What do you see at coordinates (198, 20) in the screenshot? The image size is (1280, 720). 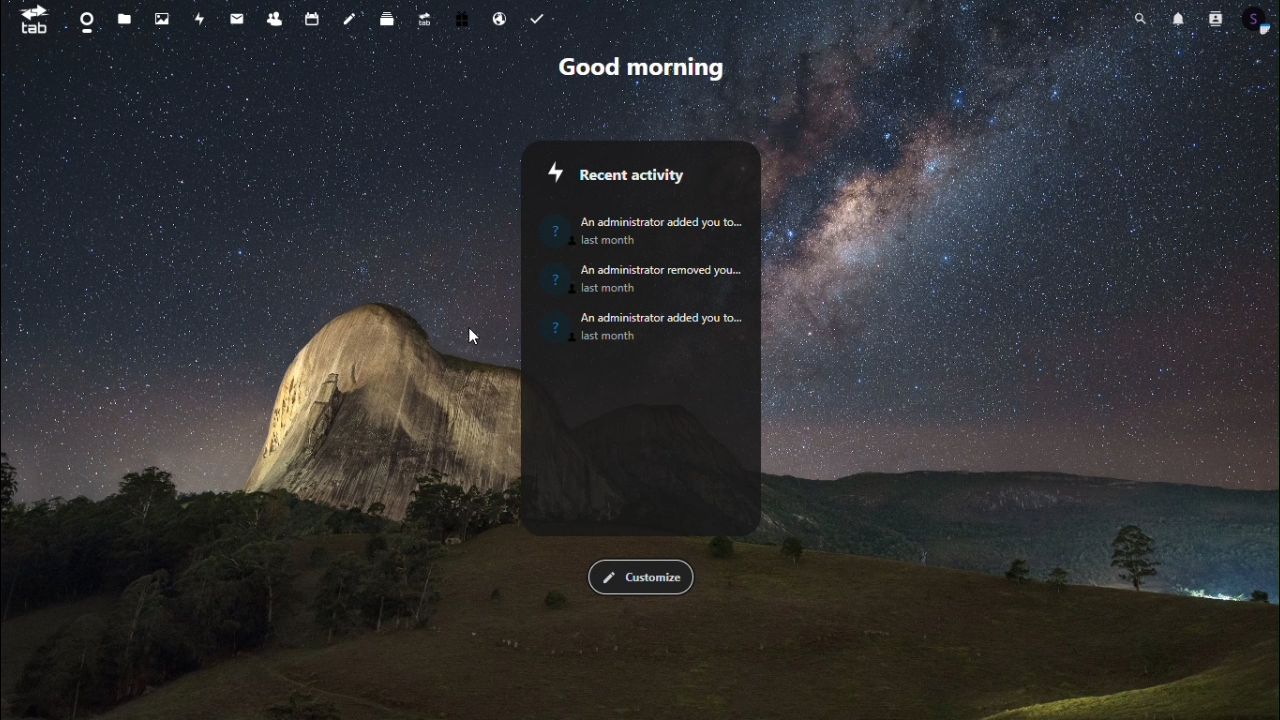 I see `activity` at bounding box center [198, 20].